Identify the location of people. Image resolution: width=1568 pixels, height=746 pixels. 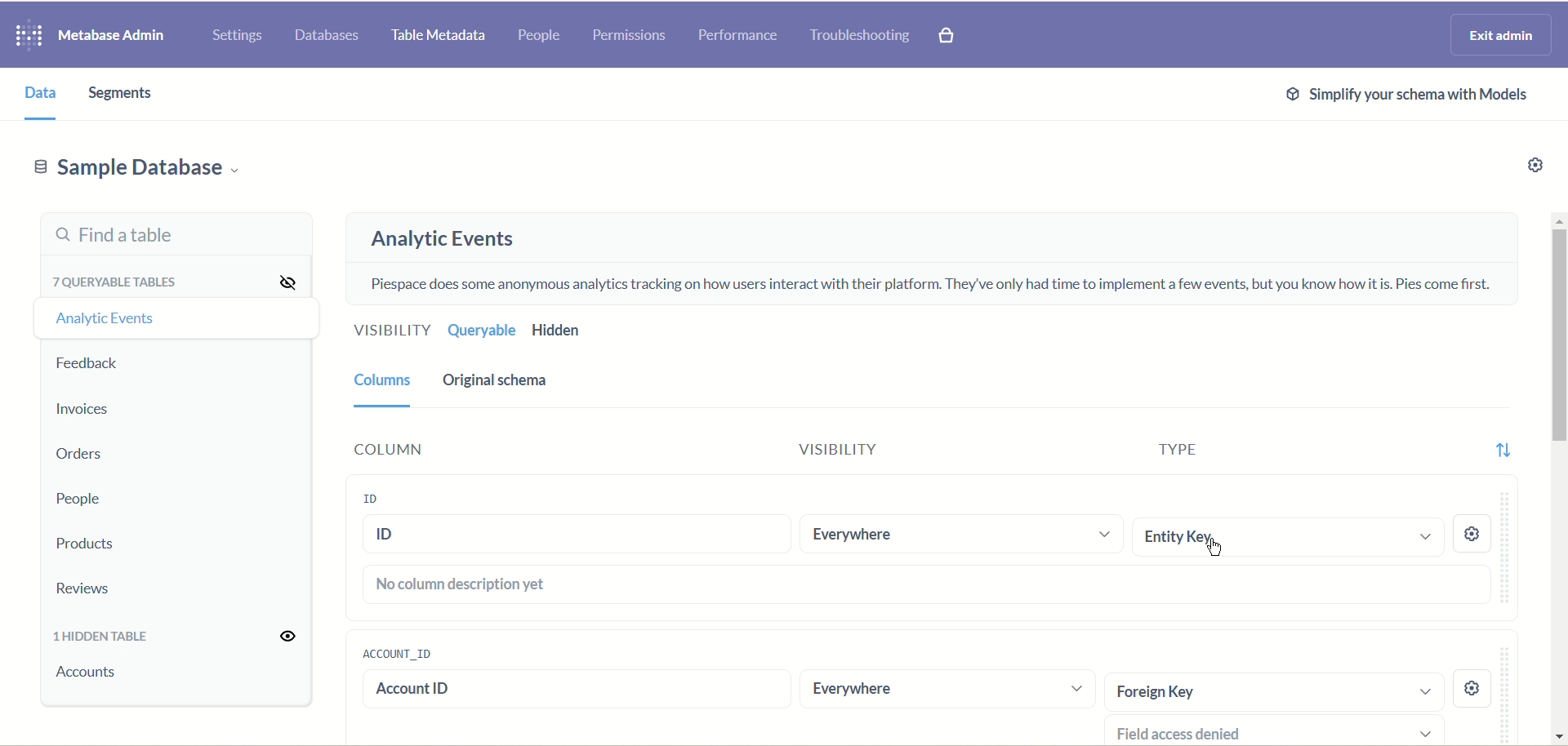
(538, 37).